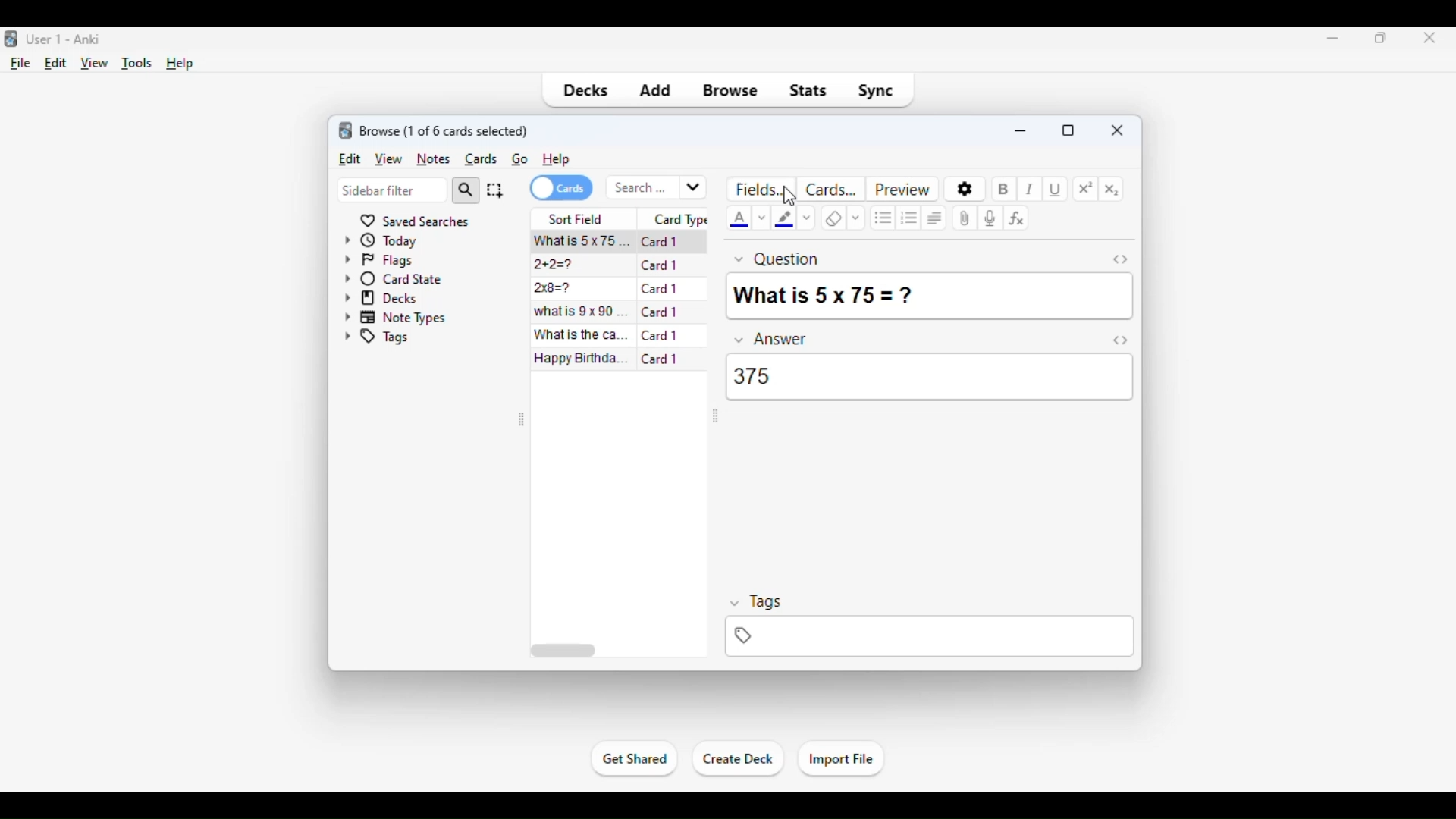  Describe the element at coordinates (966, 218) in the screenshot. I see `attach pictures/audio/video` at that location.